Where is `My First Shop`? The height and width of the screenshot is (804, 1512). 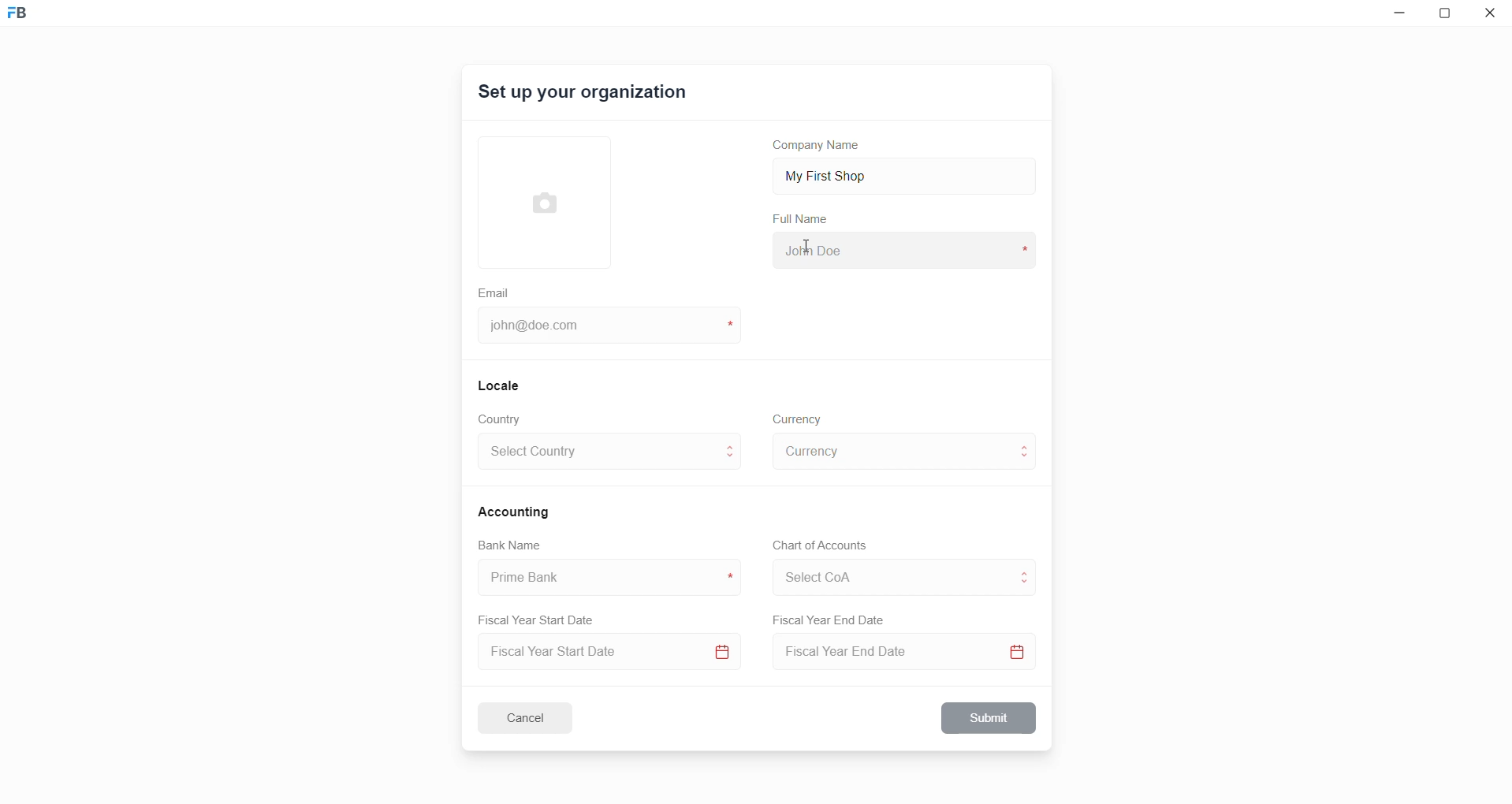
My First Shop is located at coordinates (851, 174).